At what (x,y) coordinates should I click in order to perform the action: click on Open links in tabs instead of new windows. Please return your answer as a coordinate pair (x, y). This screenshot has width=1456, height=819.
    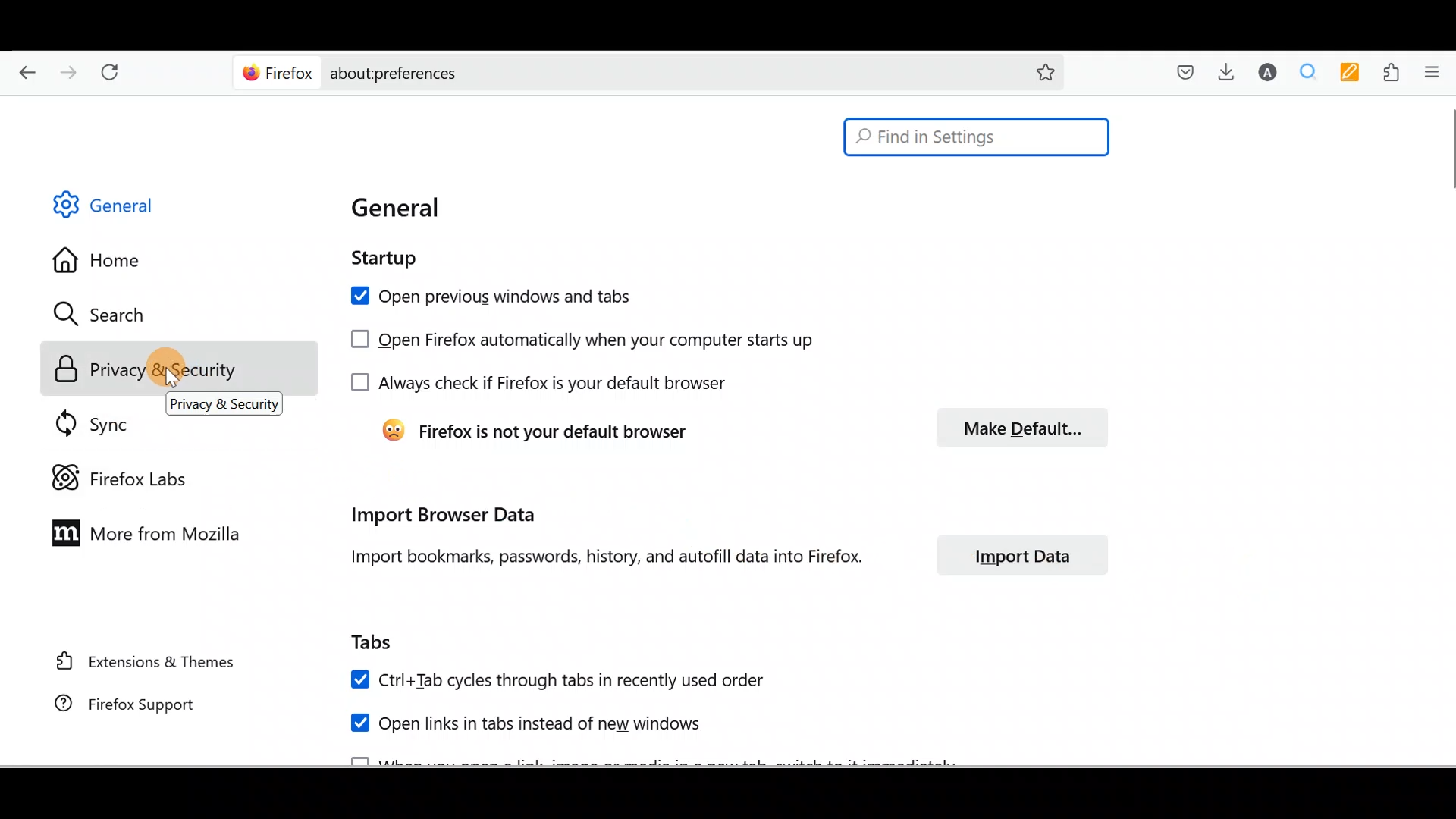
    Looking at the image, I should click on (504, 722).